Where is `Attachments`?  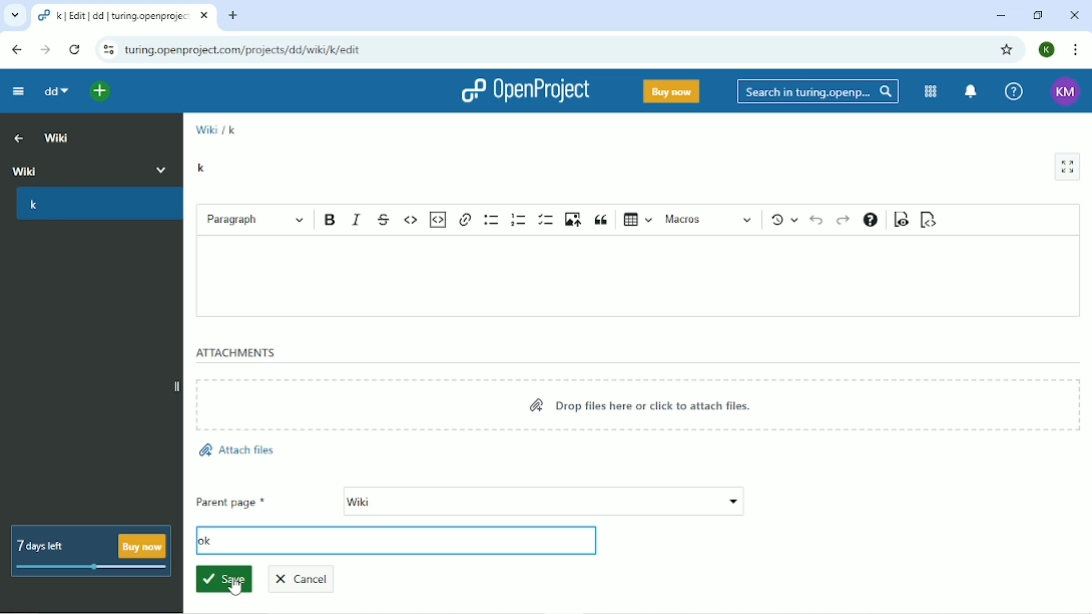 Attachments is located at coordinates (236, 353).